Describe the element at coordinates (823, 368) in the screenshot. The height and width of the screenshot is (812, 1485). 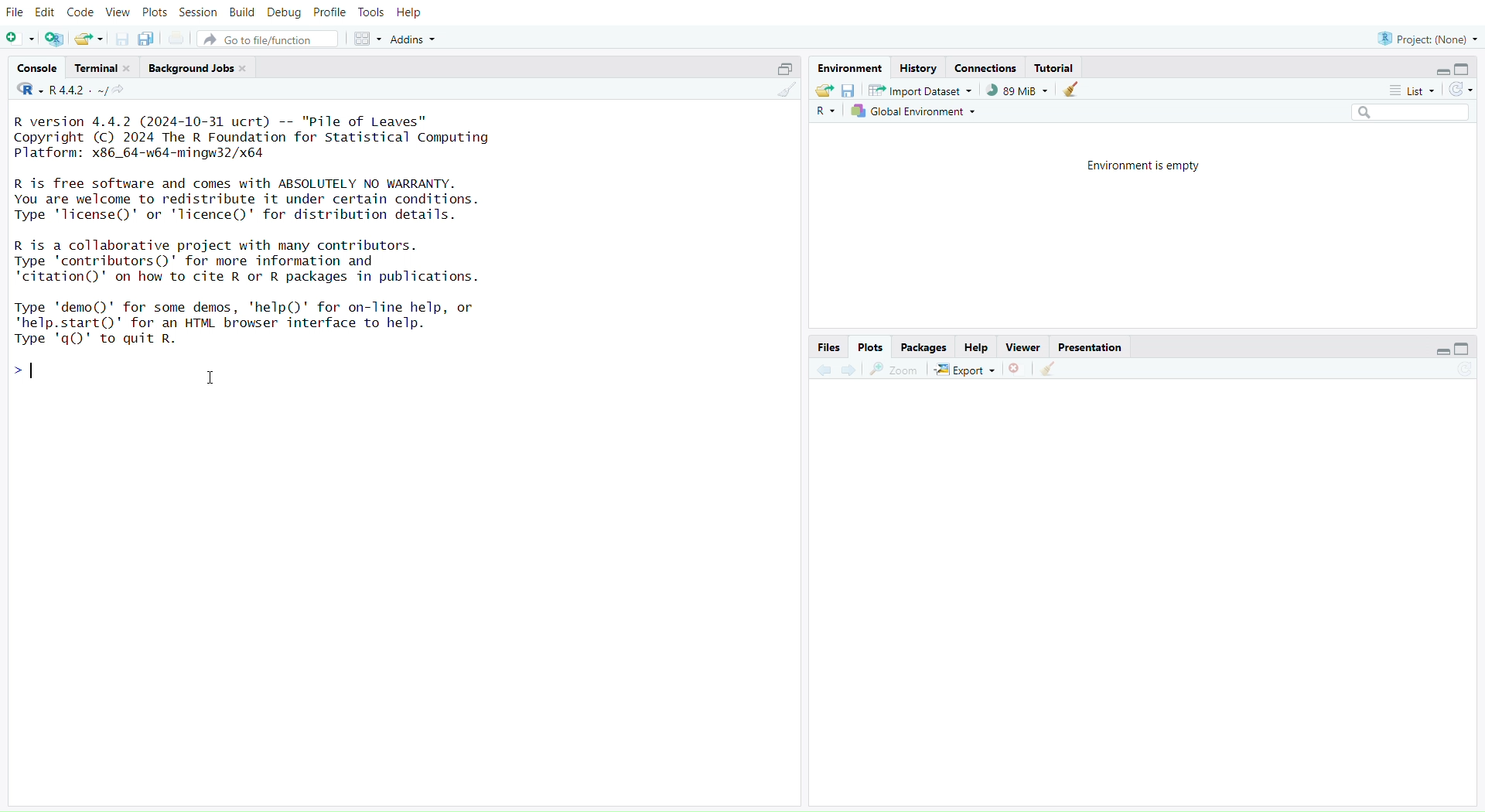
I see `Go back to the previous source location (Ctrl + F9)` at that location.